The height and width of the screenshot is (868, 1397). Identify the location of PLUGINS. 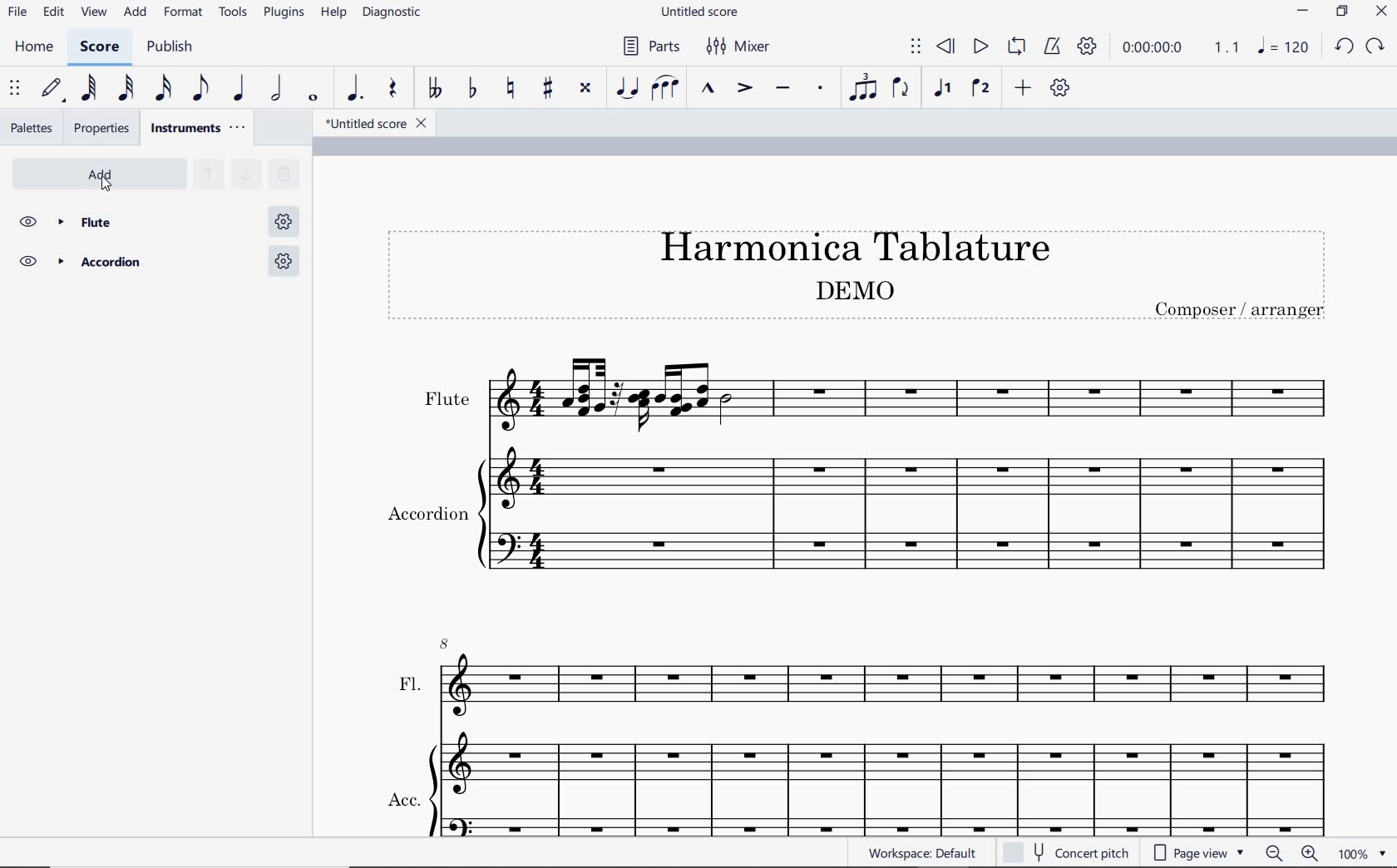
(286, 13).